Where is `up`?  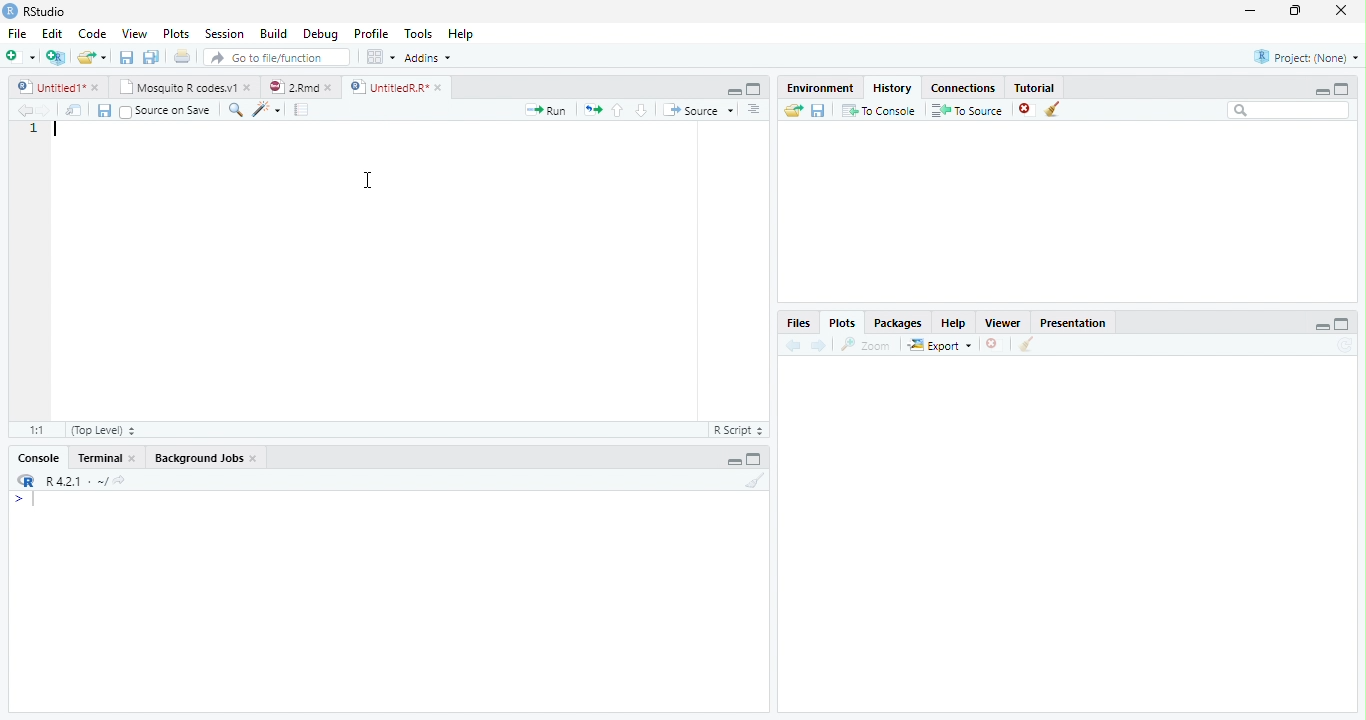 up is located at coordinates (618, 110).